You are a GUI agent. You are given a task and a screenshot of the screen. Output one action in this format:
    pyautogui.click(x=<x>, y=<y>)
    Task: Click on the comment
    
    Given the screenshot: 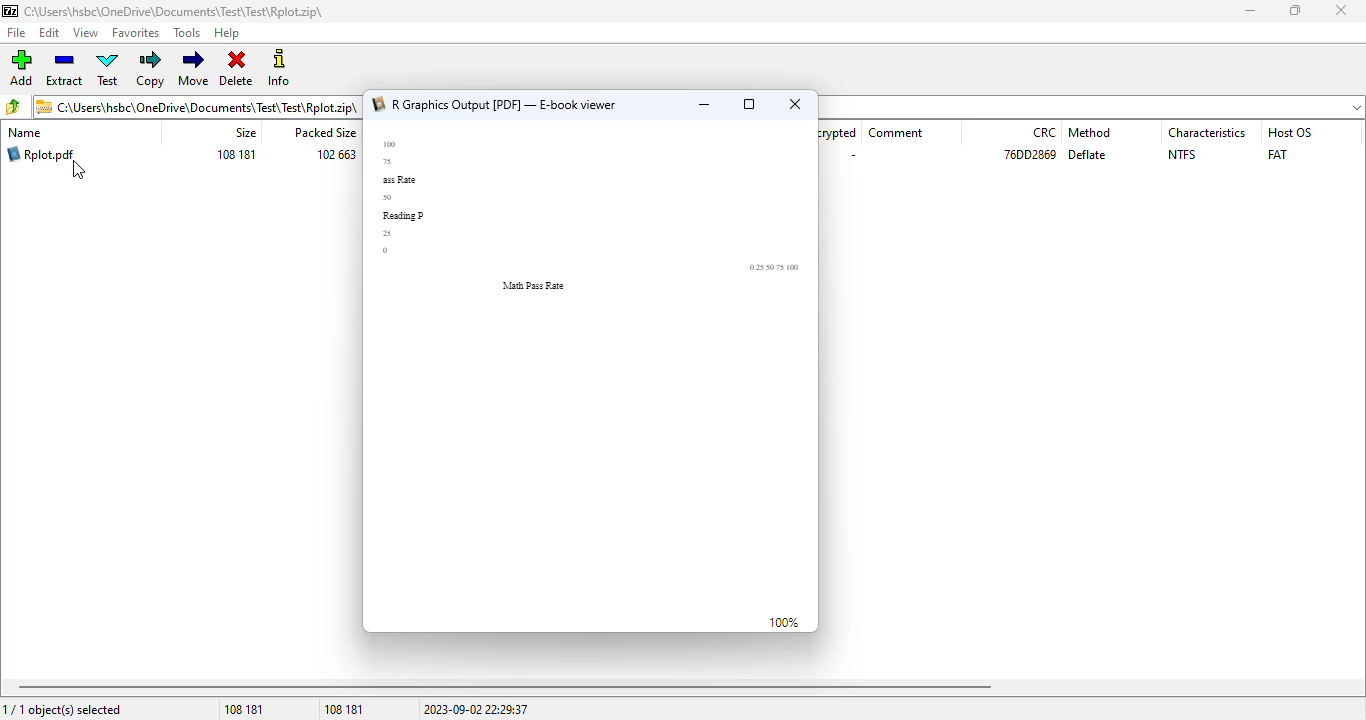 What is the action you would take?
    pyautogui.click(x=897, y=133)
    